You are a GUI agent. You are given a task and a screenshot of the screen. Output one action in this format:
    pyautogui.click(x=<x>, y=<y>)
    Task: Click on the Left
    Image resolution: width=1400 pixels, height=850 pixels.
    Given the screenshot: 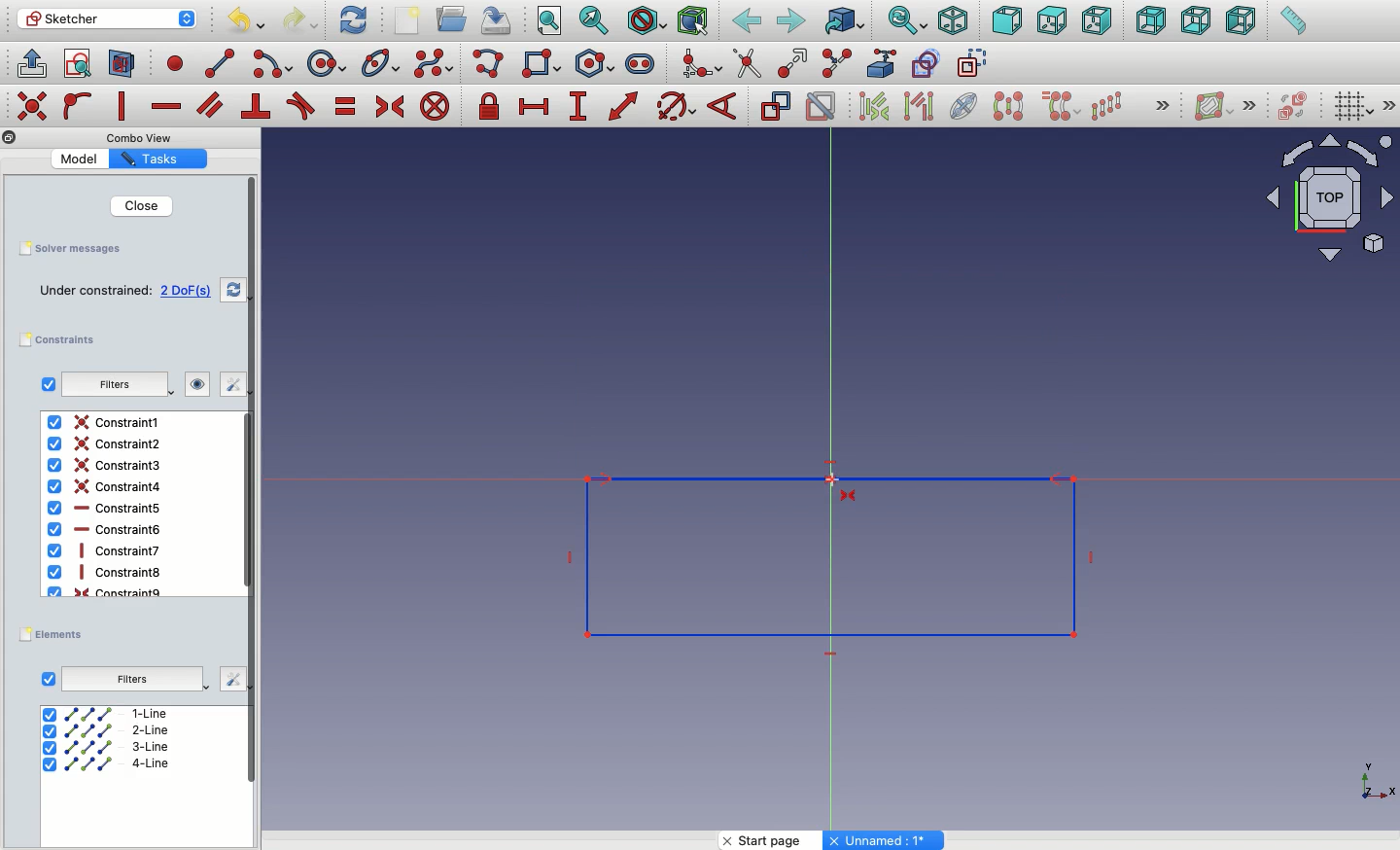 What is the action you would take?
    pyautogui.click(x=1240, y=21)
    